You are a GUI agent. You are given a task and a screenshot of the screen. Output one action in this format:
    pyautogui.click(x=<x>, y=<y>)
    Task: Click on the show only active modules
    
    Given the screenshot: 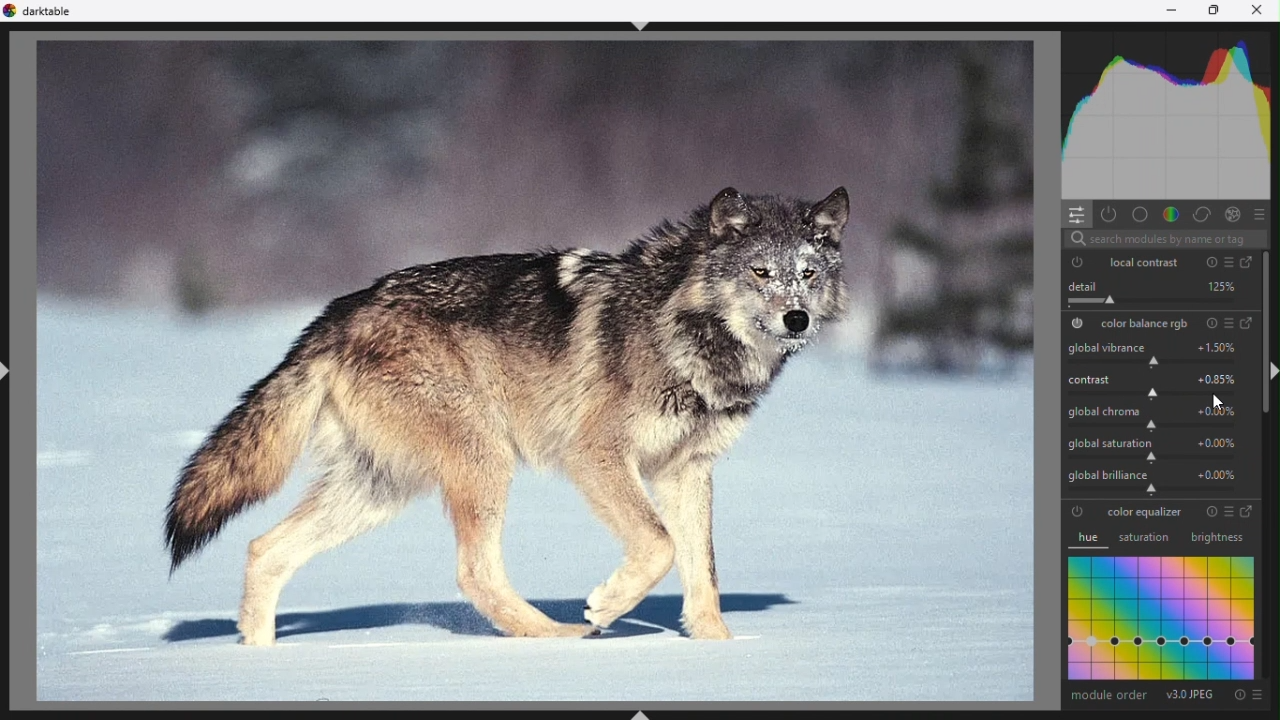 What is the action you would take?
    pyautogui.click(x=1108, y=213)
    